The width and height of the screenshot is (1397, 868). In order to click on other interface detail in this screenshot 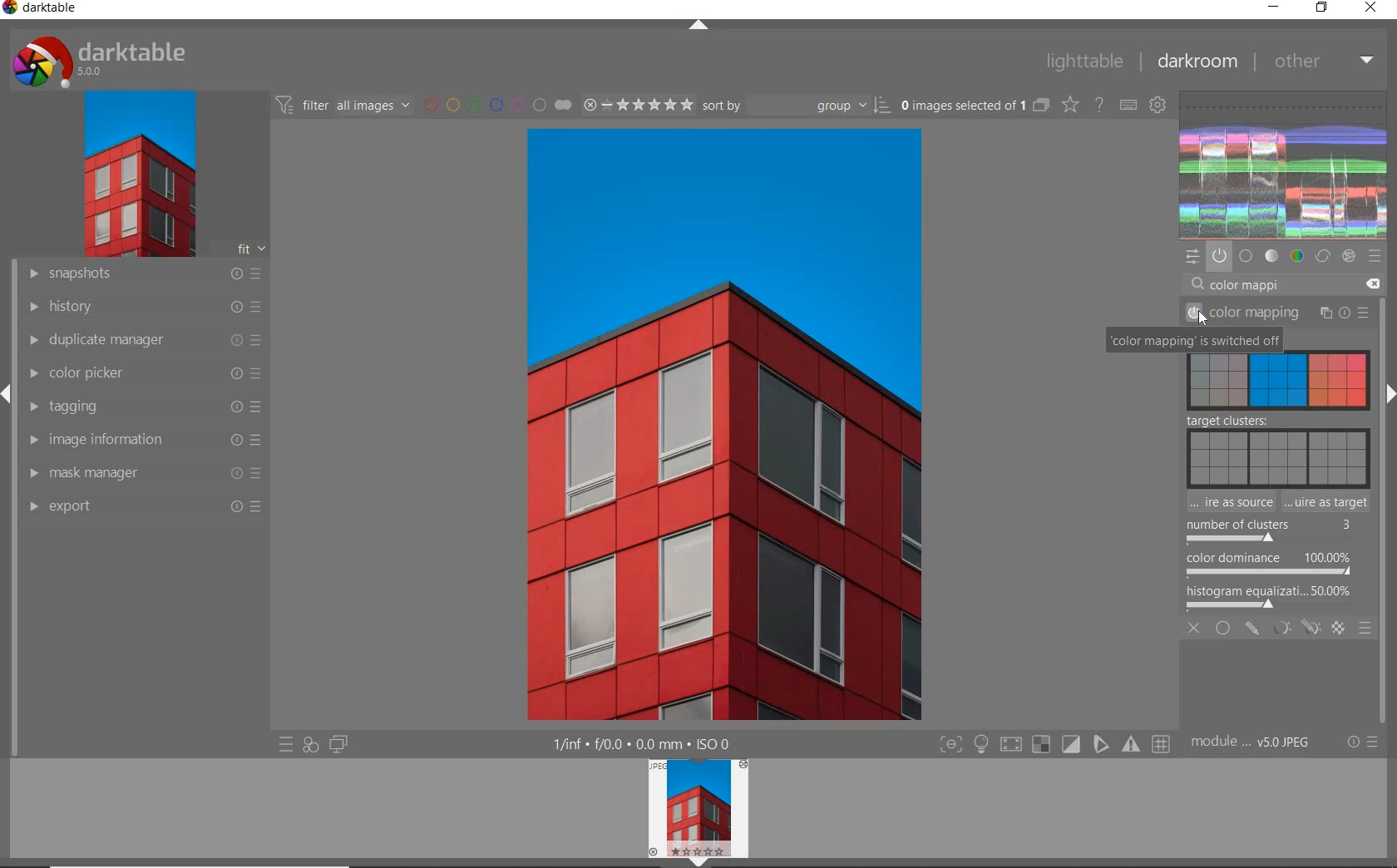, I will do `click(654, 744)`.